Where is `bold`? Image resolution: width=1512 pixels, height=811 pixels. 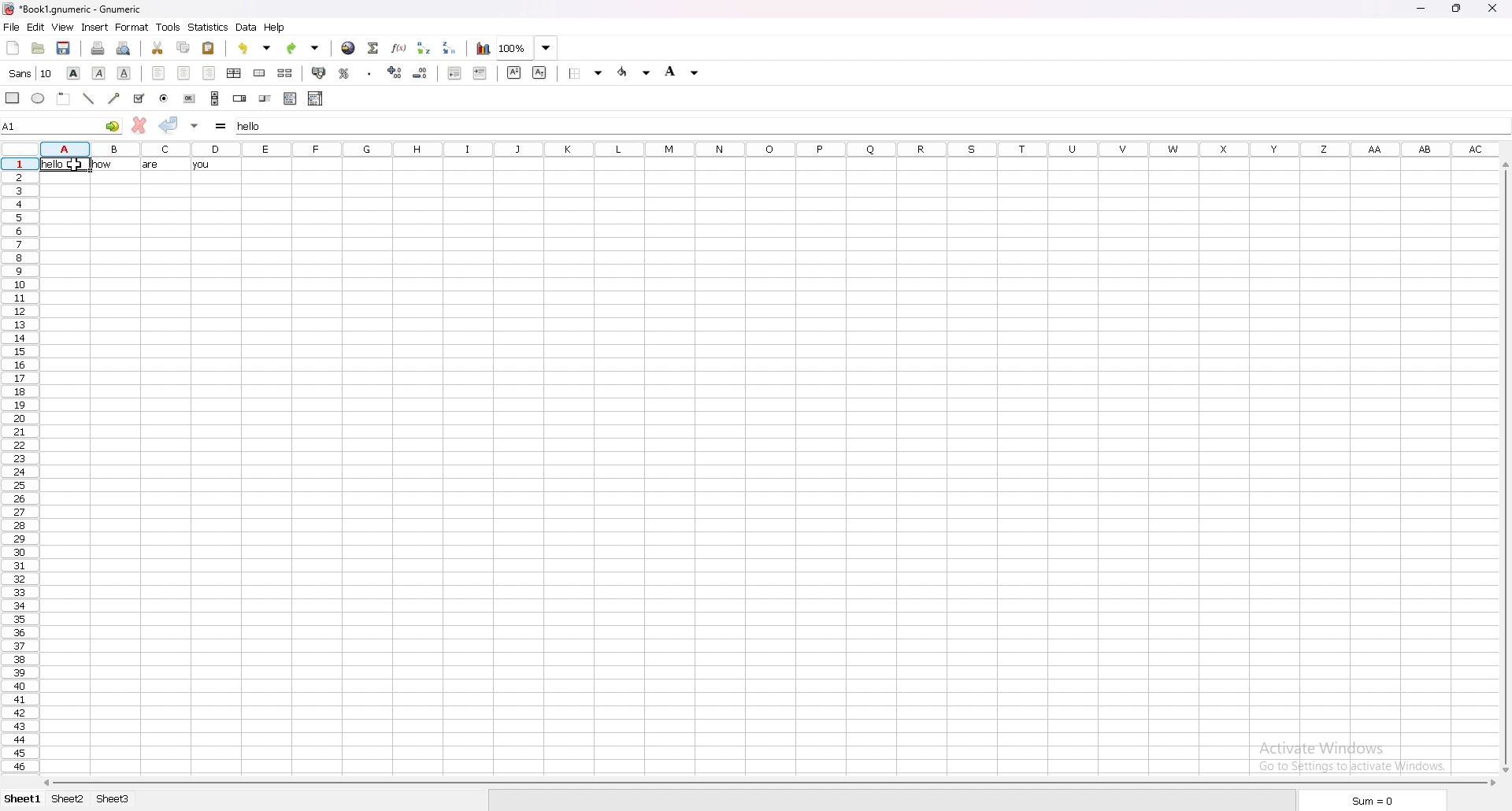 bold is located at coordinates (73, 72).